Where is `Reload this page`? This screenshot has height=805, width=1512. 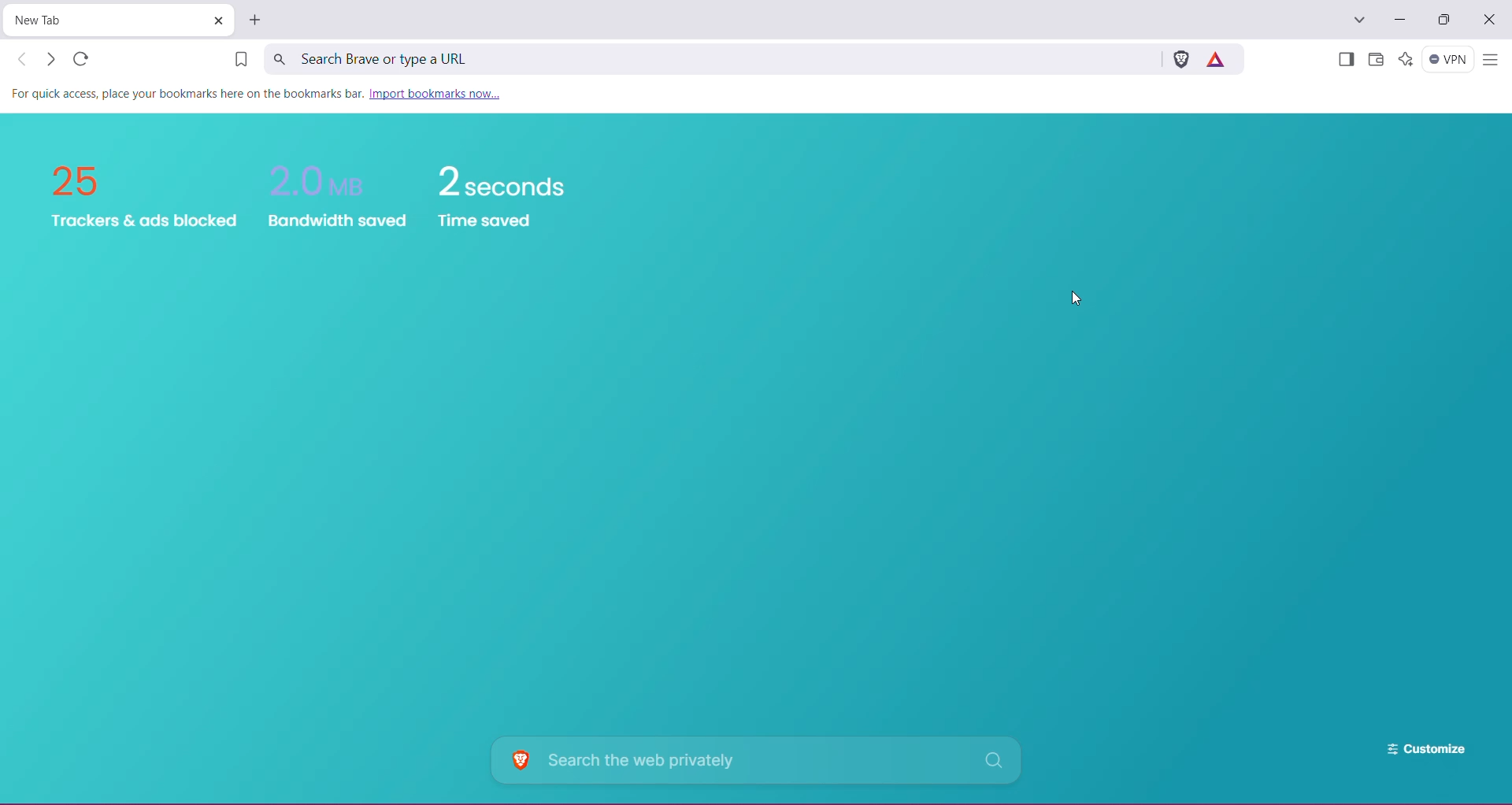
Reload this page is located at coordinates (83, 58).